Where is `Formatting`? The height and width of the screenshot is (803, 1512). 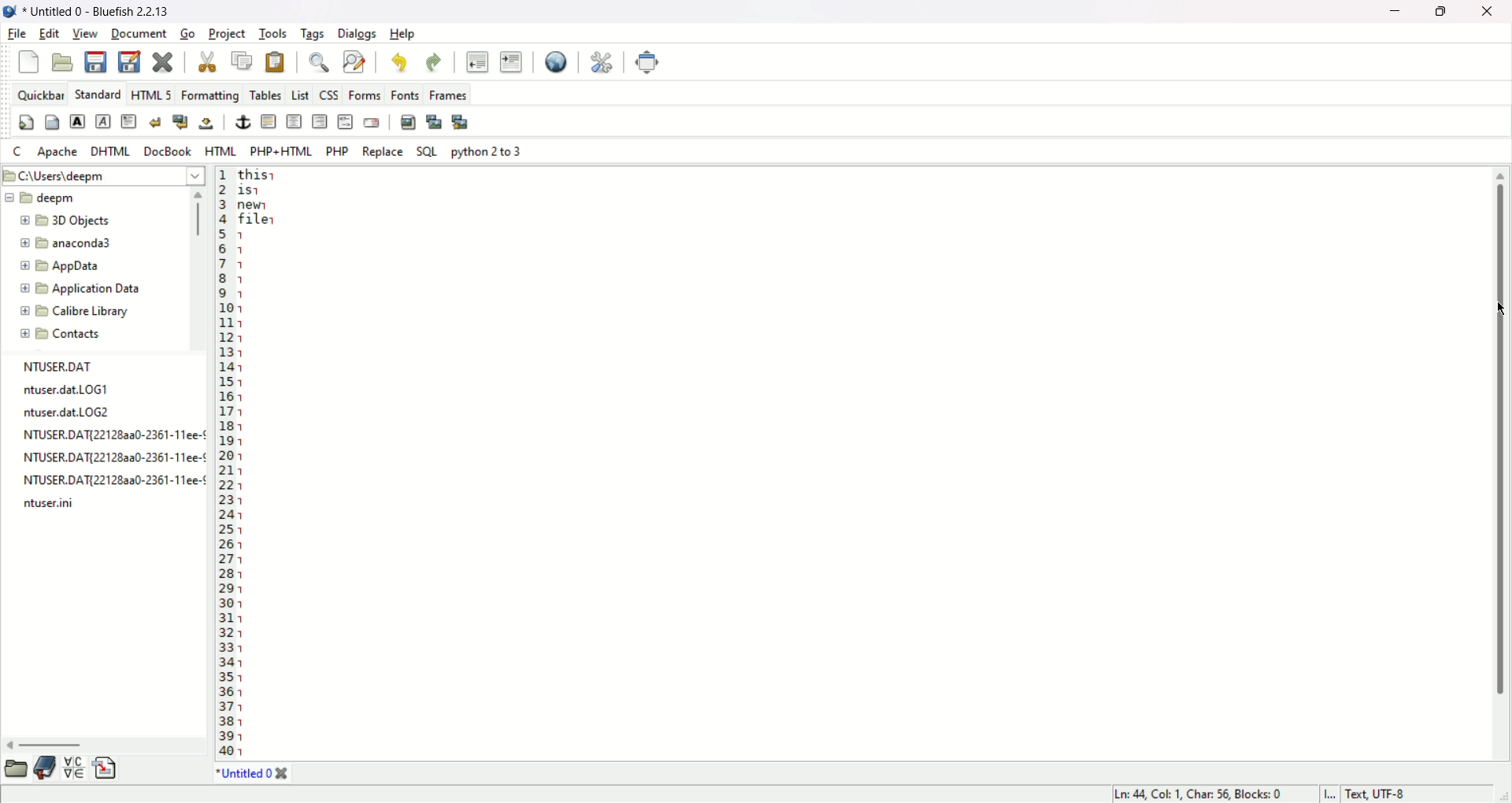
Formatting is located at coordinates (209, 94).